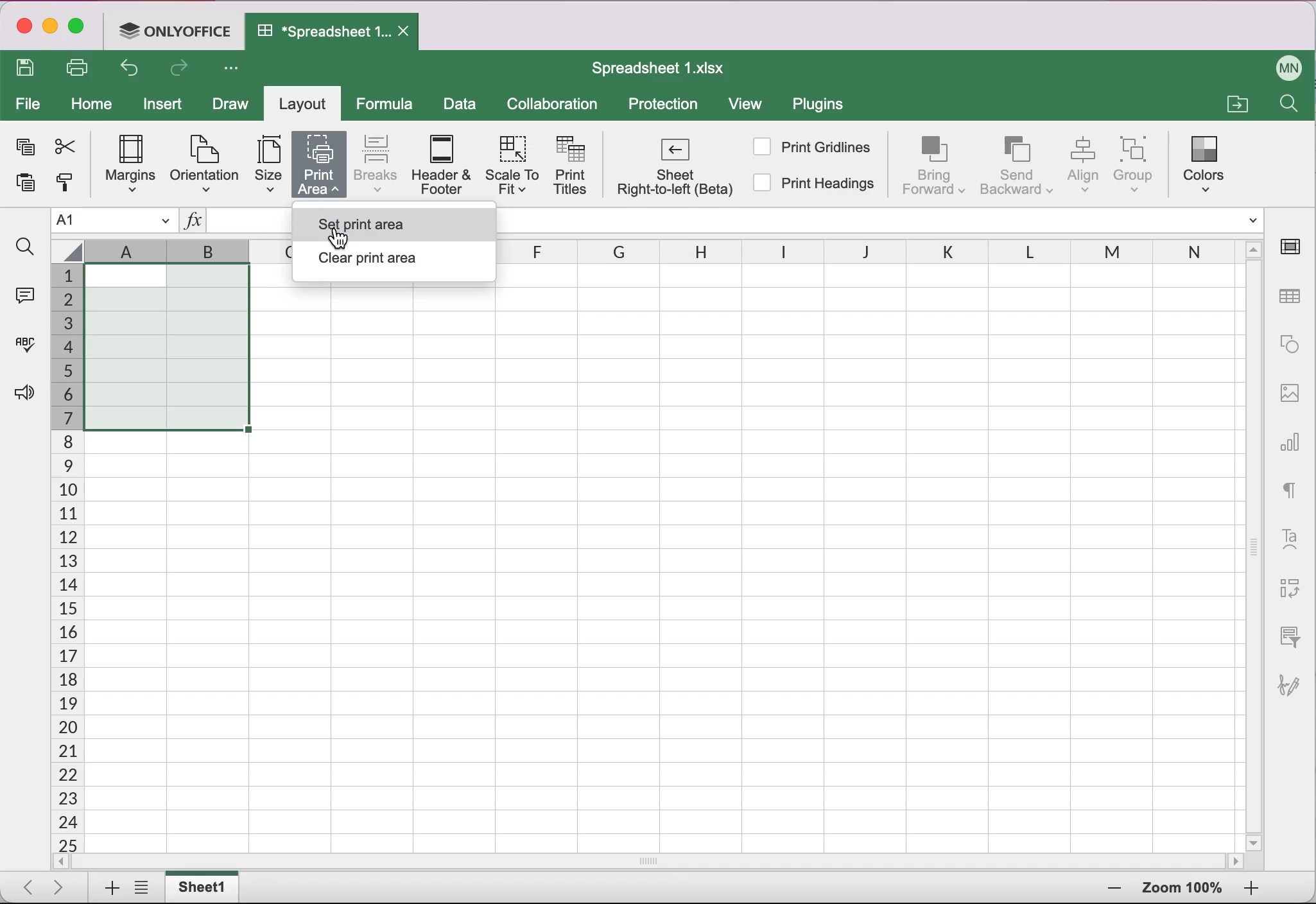 This screenshot has width=1316, height=904. I want to click on Sheet right-to-left (Beta), so click(673, 170).